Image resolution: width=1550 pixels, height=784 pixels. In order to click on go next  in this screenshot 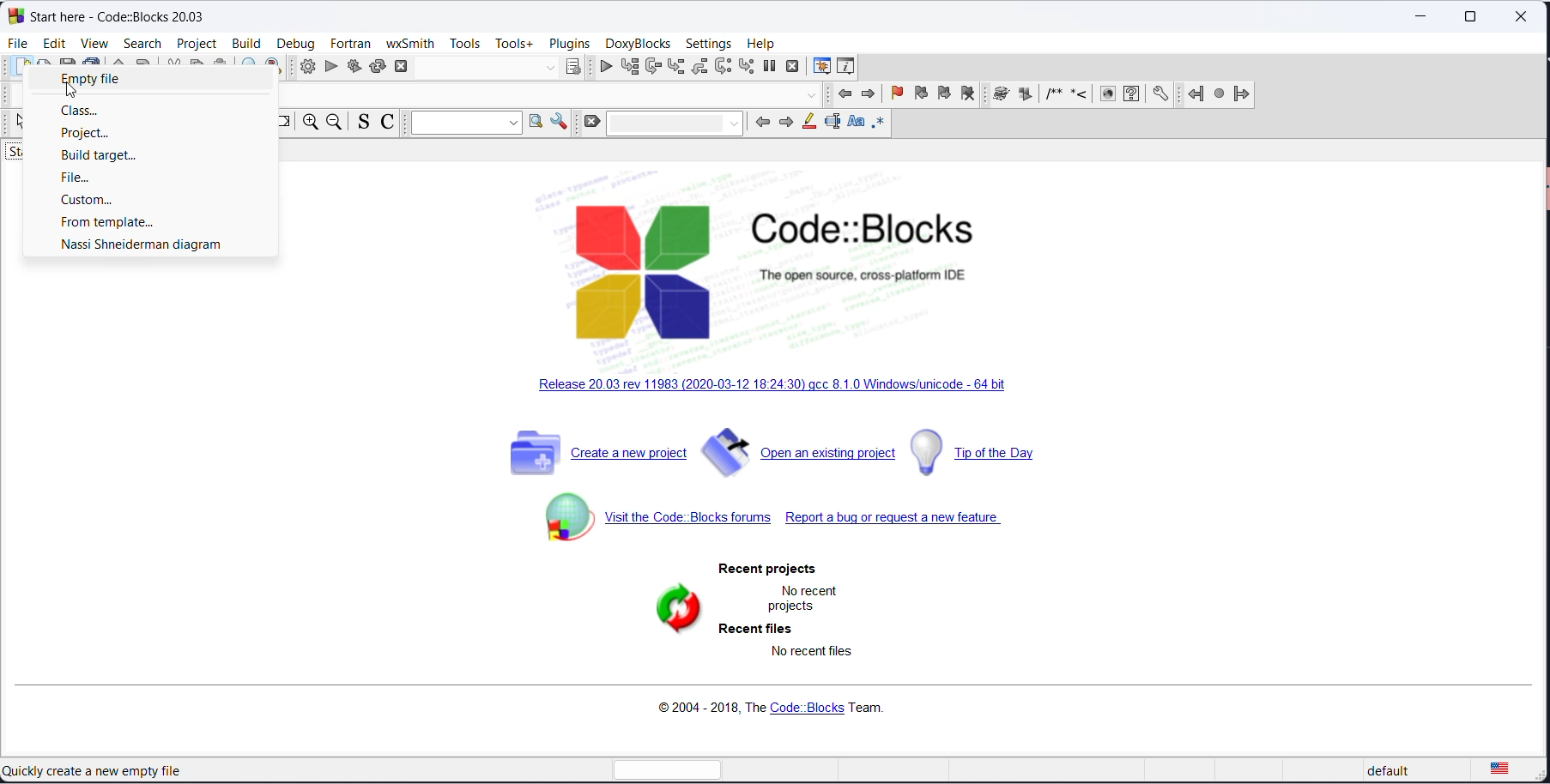, I will do `click(867, 95)`.